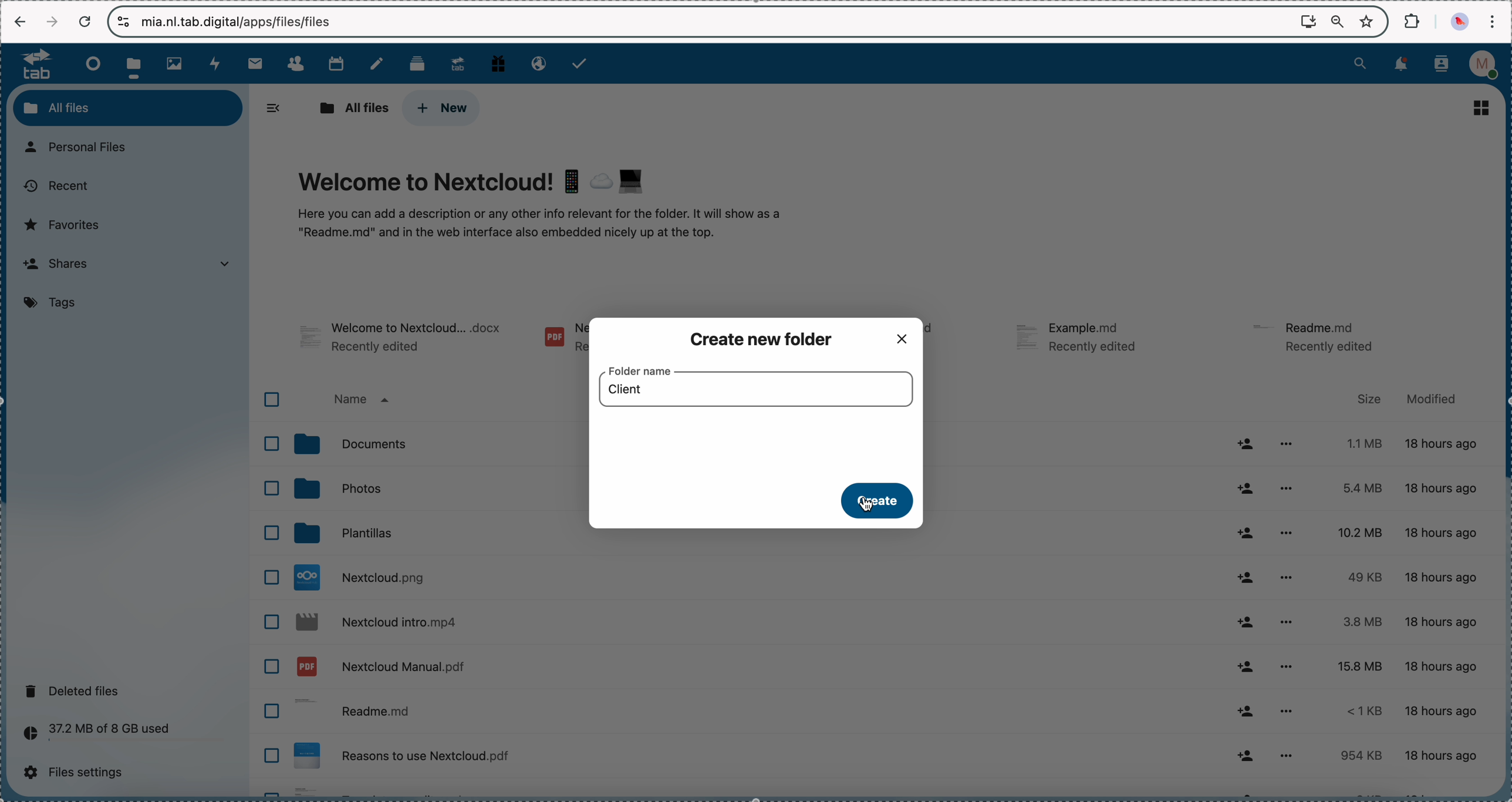 The height and width of the screenshot is (802, 1512). Describe the element at coordinates (879, 791) in the screenshot. I see `file` at that location.